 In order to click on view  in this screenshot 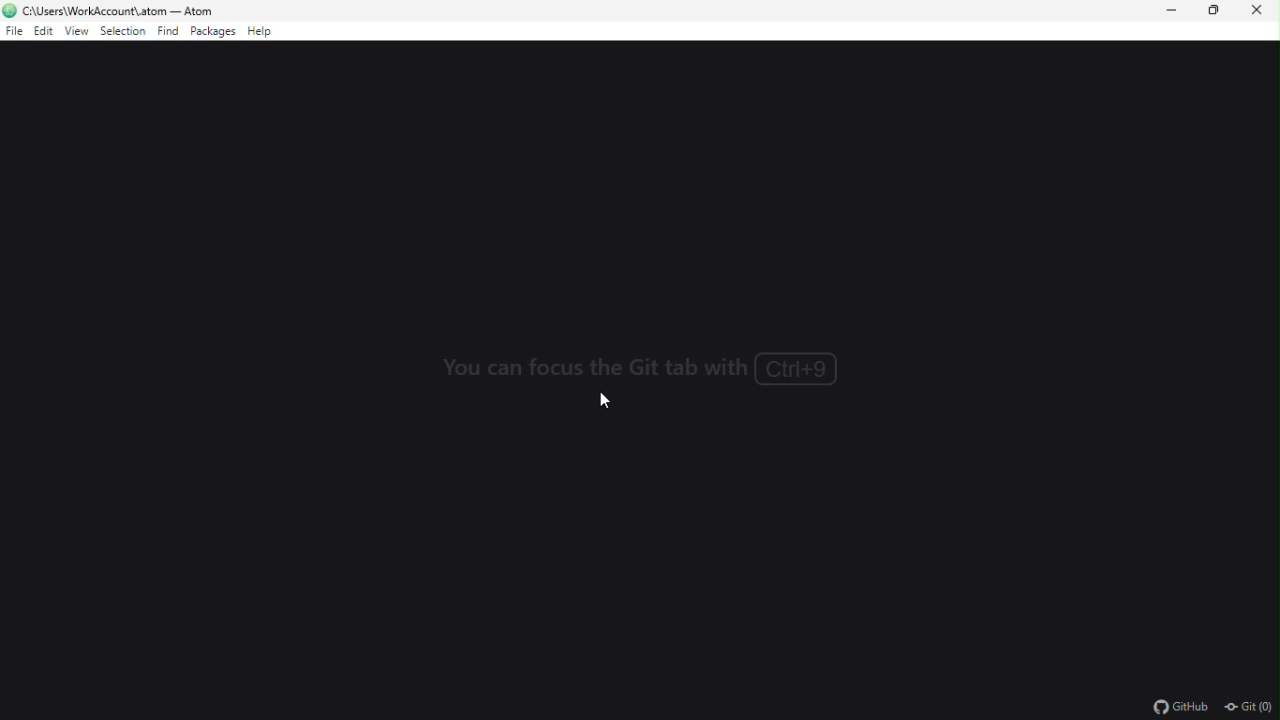, I will do `click(78, 32)`.